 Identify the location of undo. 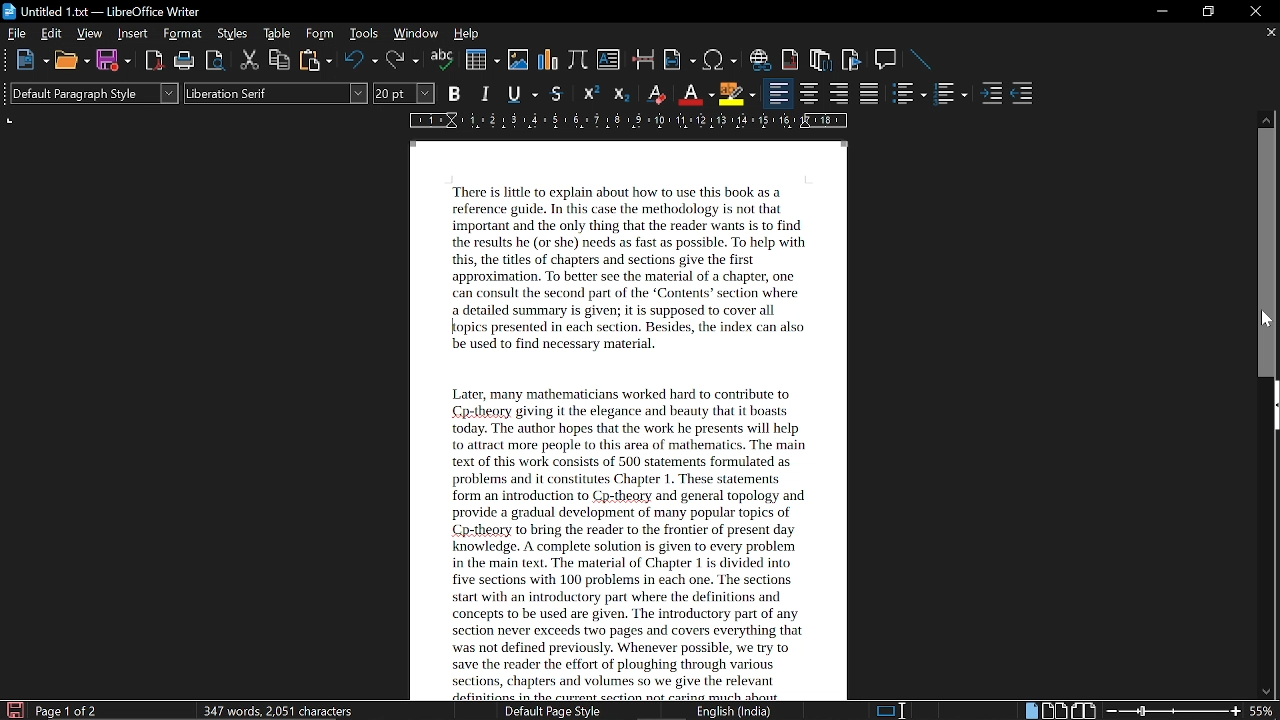
(361, 61).